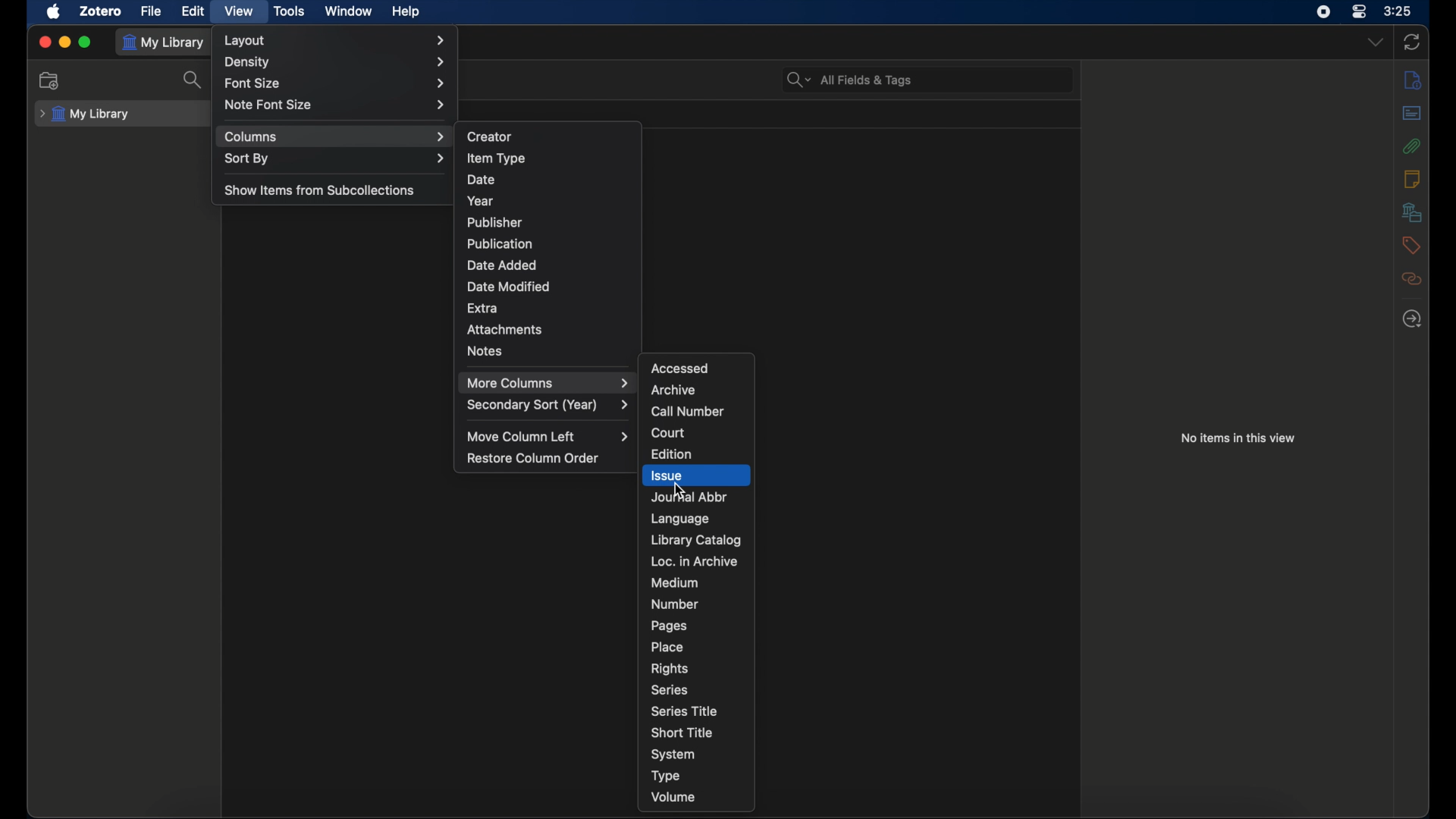 The height and width of the screenshot is (819, 1456). I want to click on edit, so click(193, 11).